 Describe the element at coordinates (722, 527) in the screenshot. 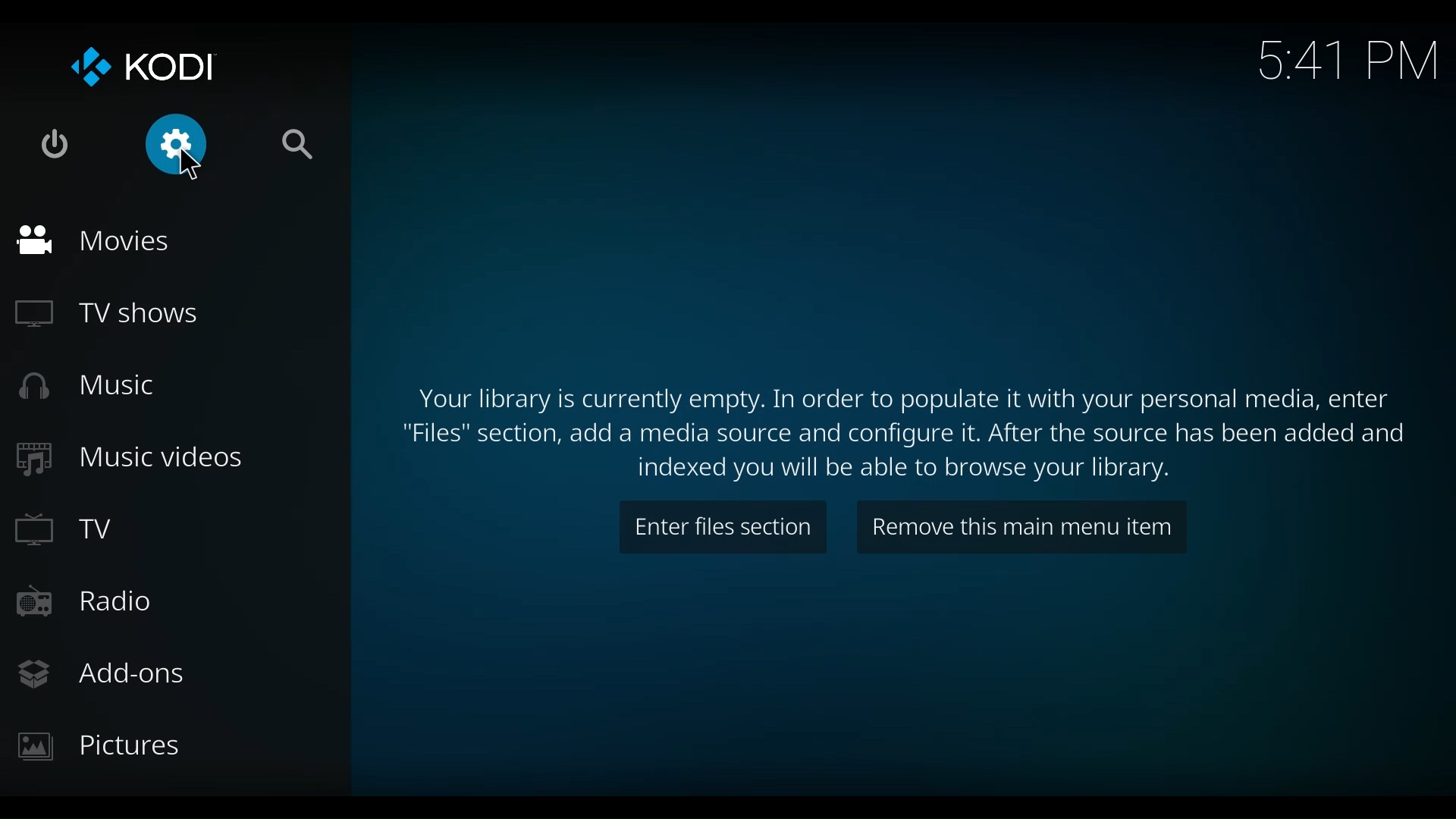

I see `Enter files section` at that location.